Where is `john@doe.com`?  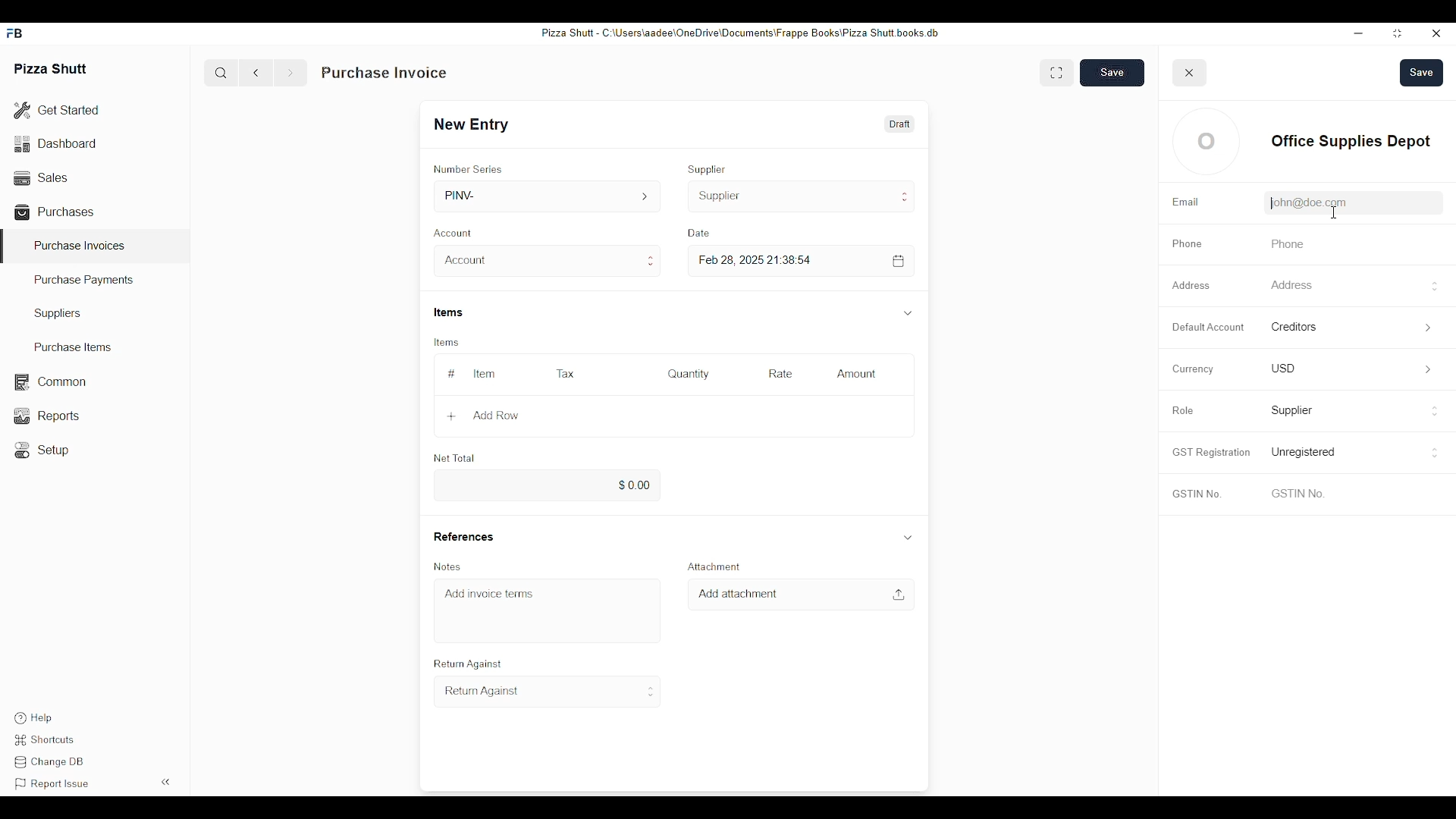
john@doe.com is located at coordinates (1306, 202).